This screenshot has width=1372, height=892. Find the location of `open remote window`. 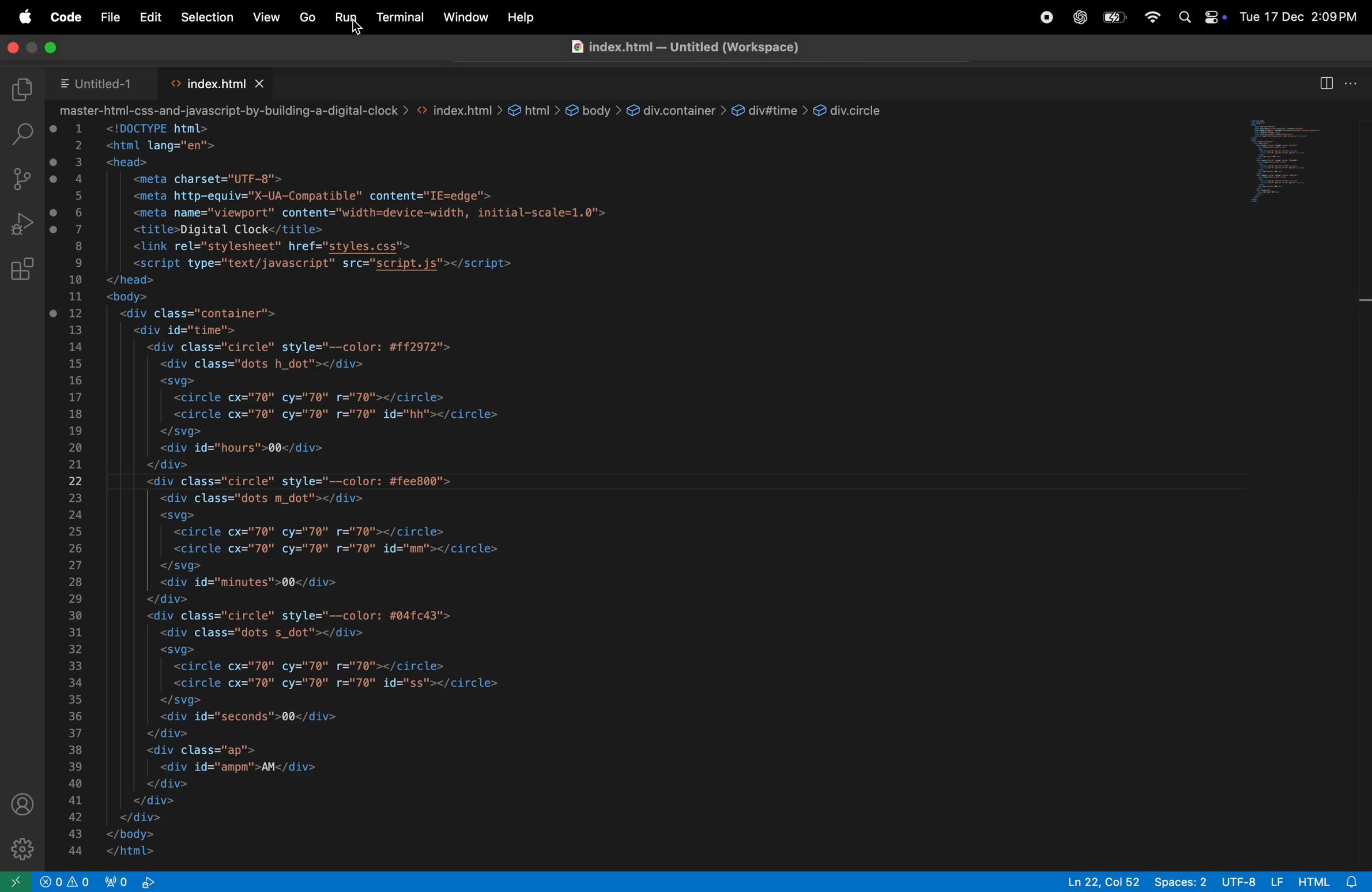

open remote window is located at coordinates (16, 880).